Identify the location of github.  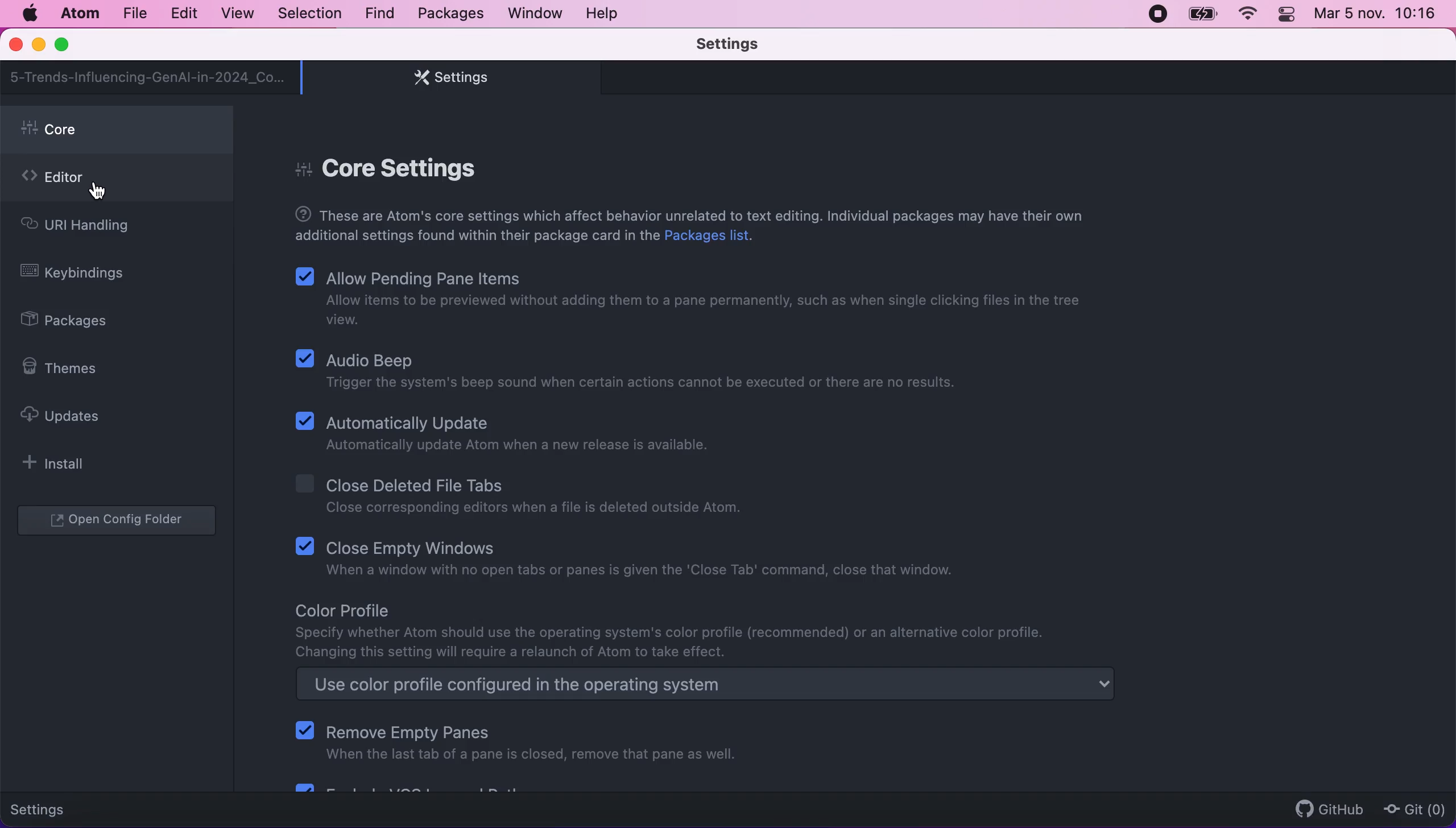
(1324, 809).